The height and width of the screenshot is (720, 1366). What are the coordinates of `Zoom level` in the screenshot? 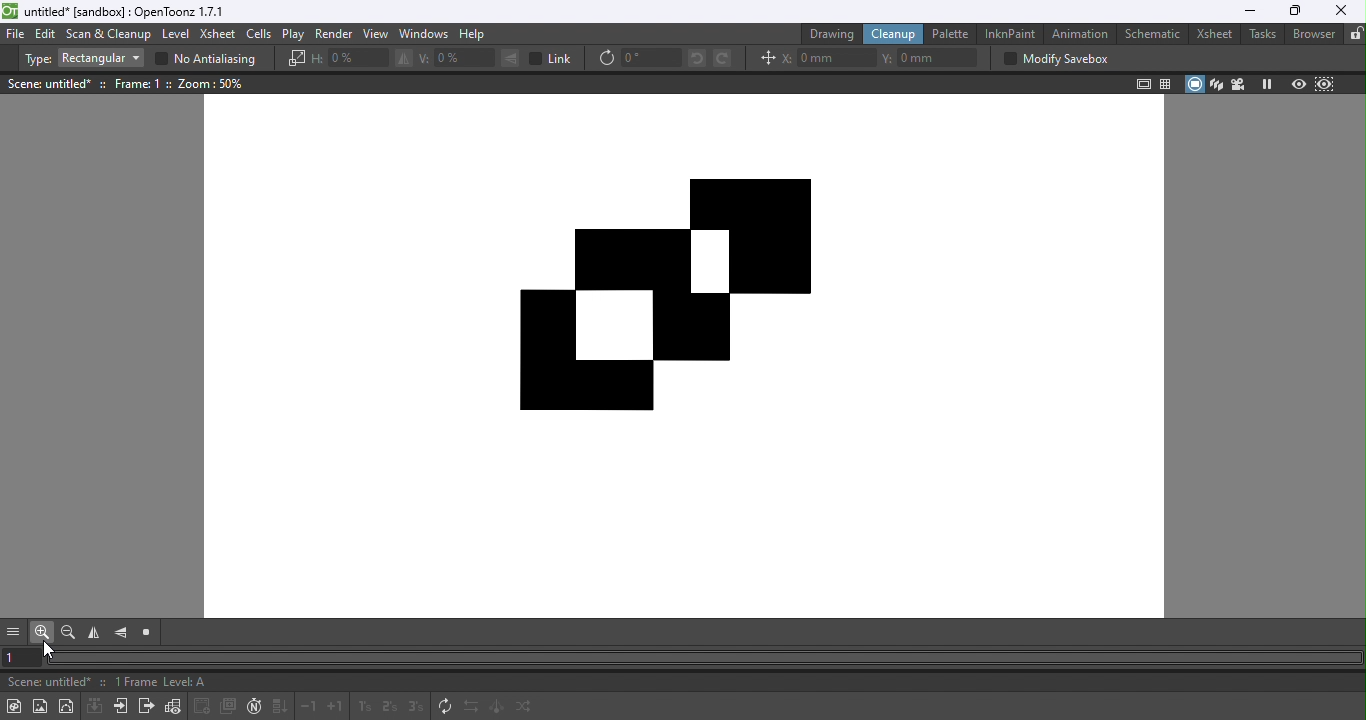 It's located at (214, 85).